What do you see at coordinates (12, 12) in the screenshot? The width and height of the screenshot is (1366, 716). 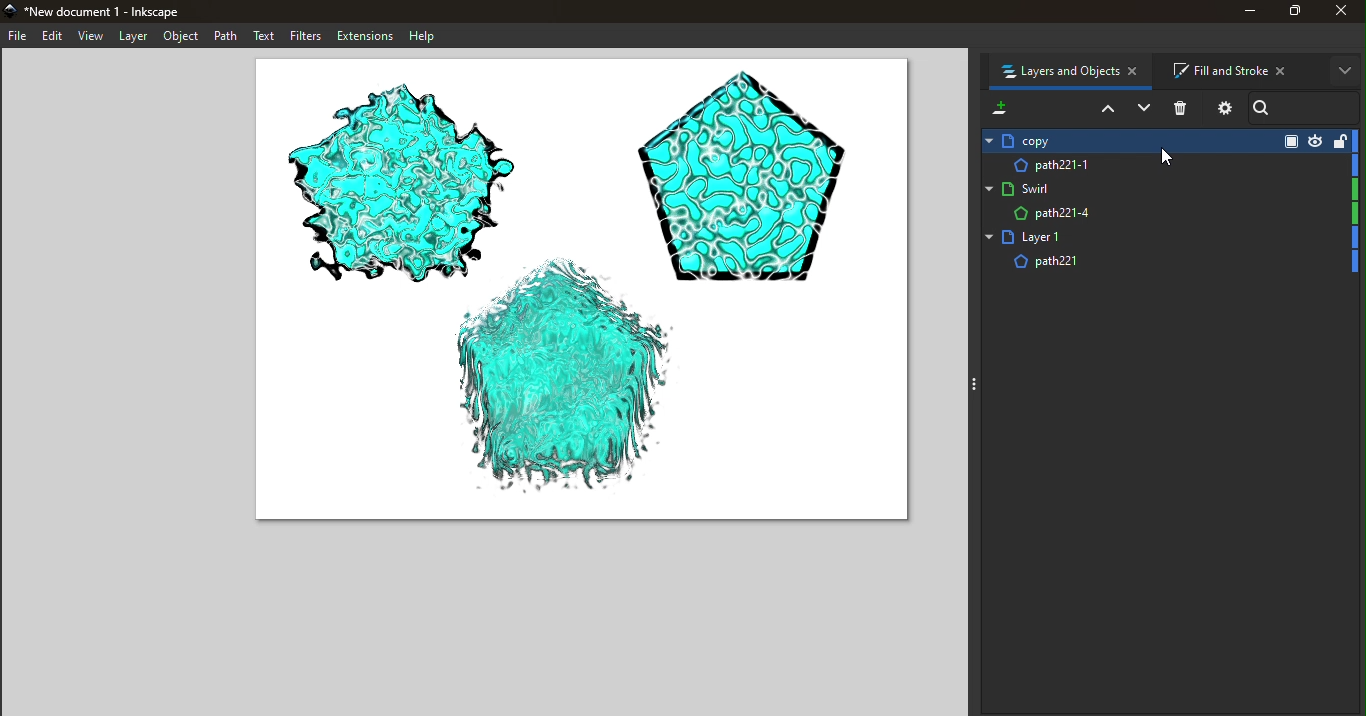 I see `App icon` at bounding box center [12, 12].